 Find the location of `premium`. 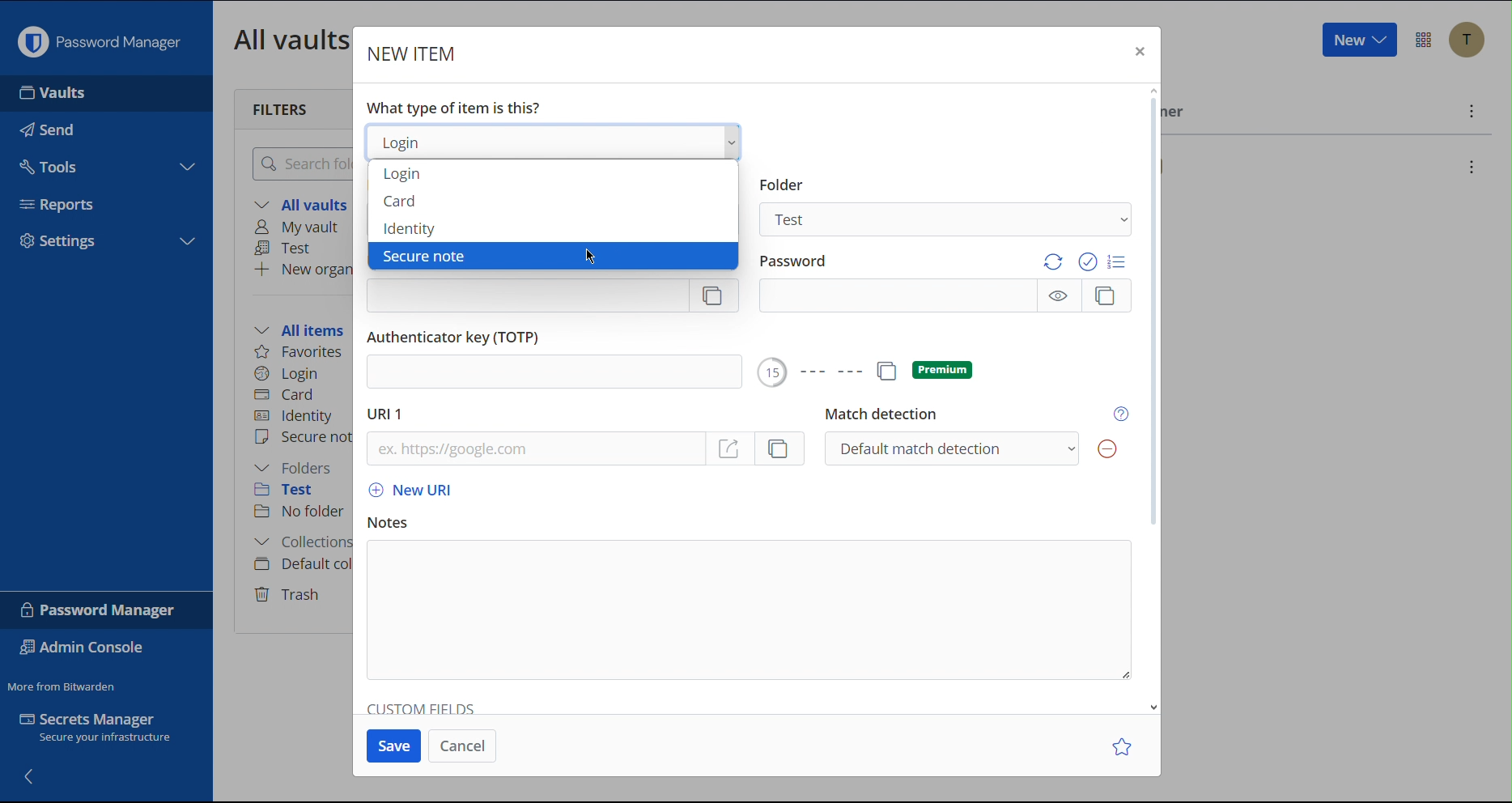

premium is located at coordinates (942, 370).